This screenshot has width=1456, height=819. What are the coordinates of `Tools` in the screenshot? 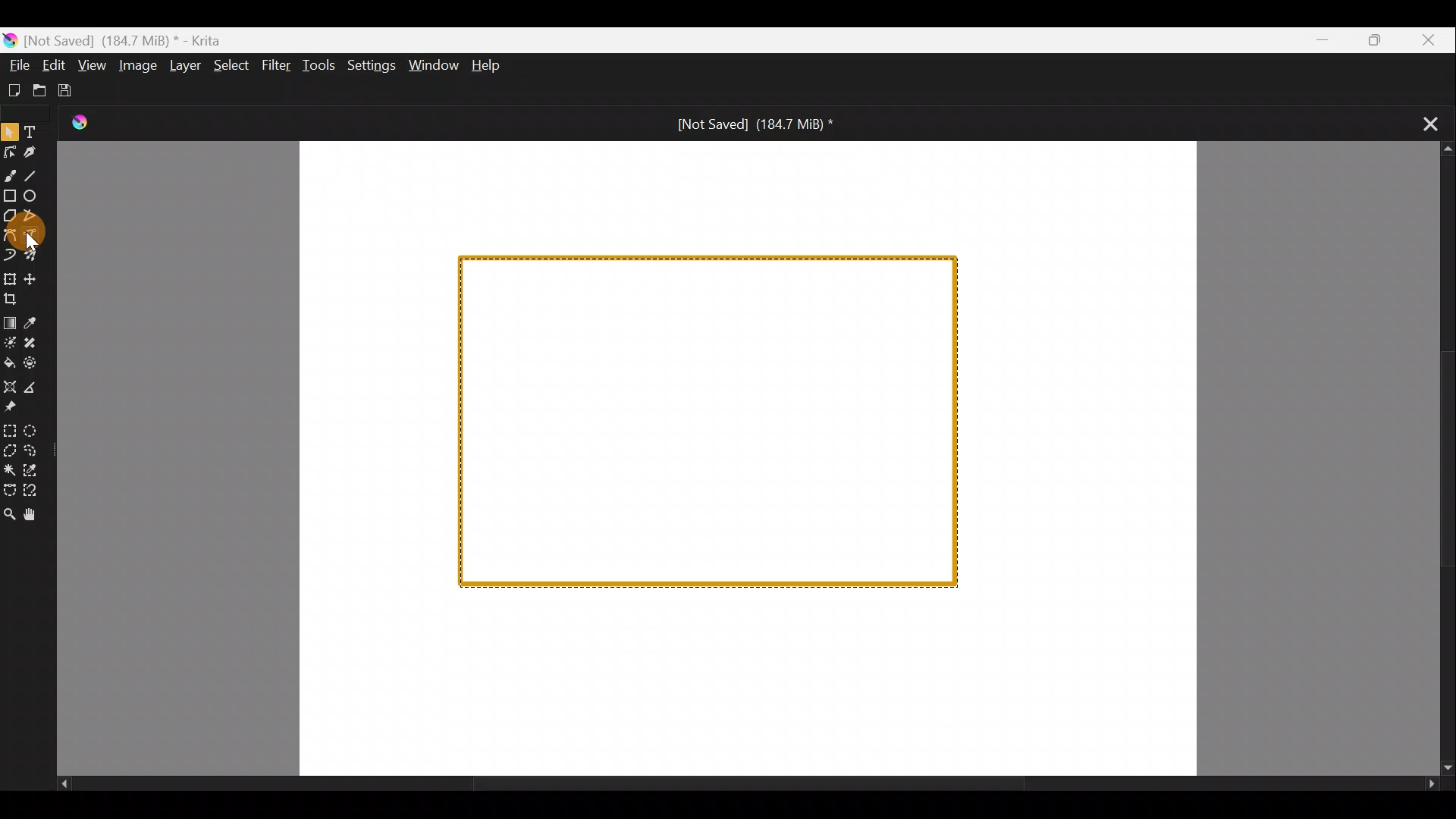 It's located at (318, 65).